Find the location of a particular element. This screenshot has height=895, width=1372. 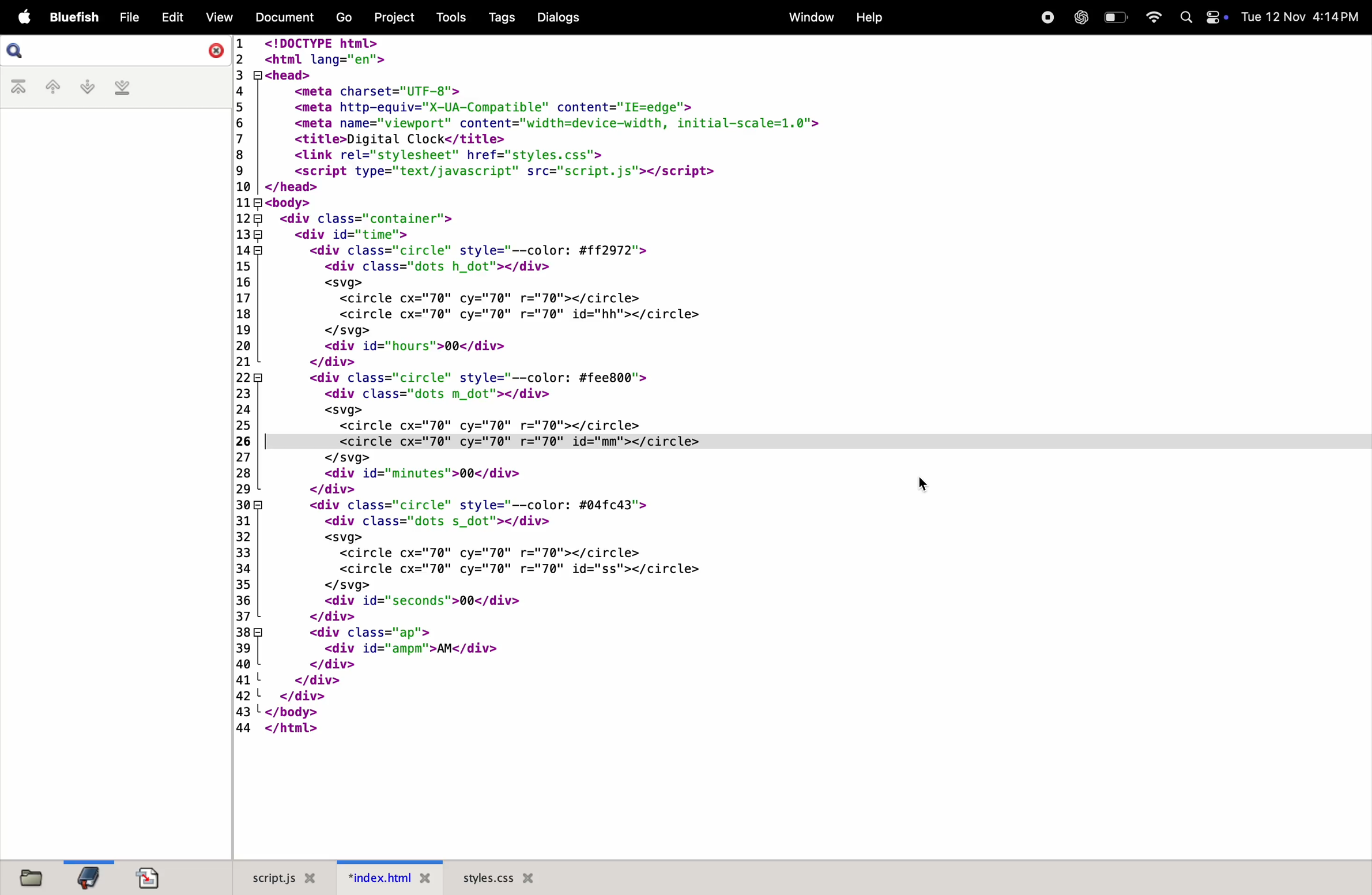

projects is located at coordinates (392, 17).